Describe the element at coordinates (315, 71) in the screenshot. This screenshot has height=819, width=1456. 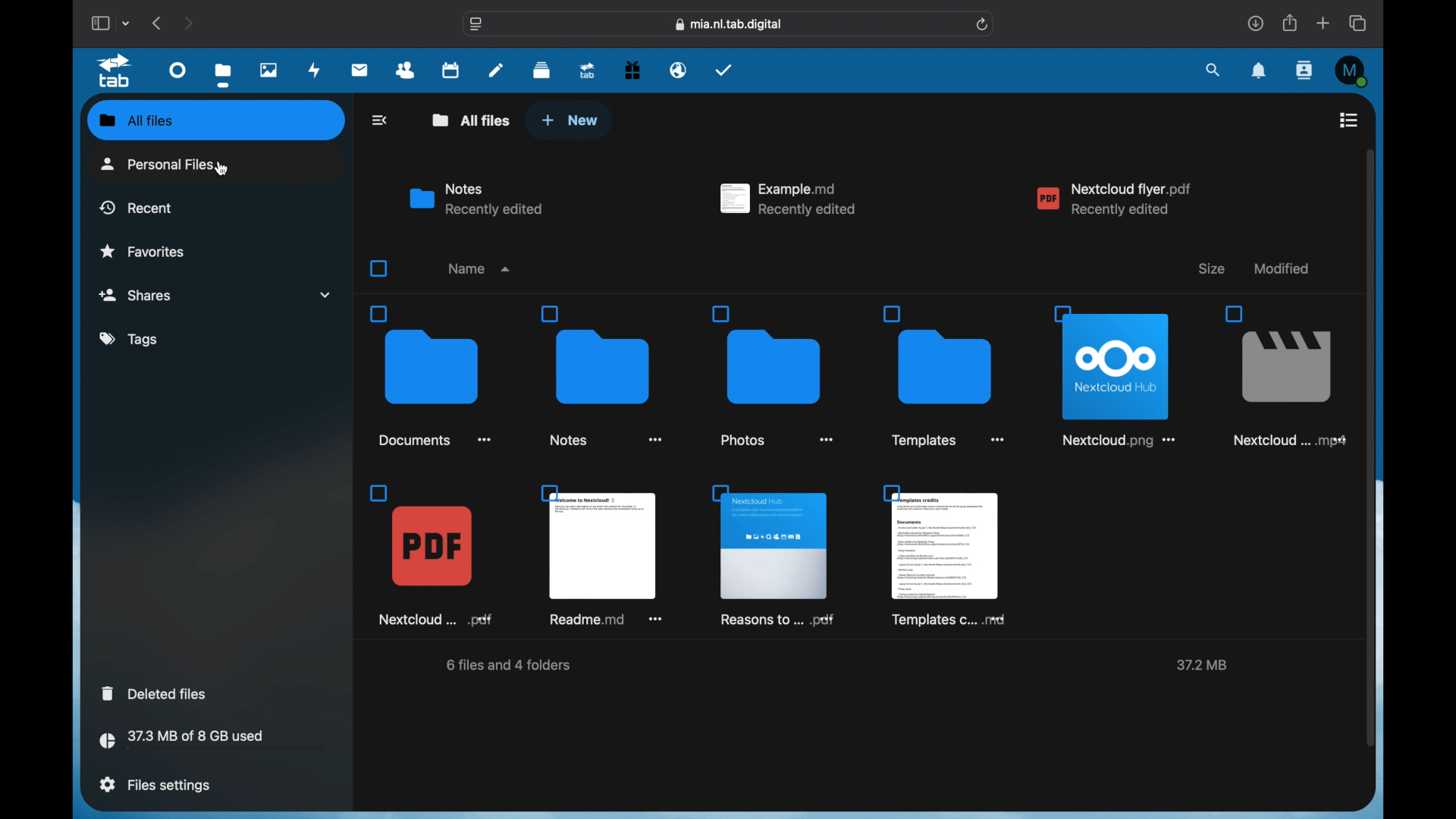
I see `activity` at that location.